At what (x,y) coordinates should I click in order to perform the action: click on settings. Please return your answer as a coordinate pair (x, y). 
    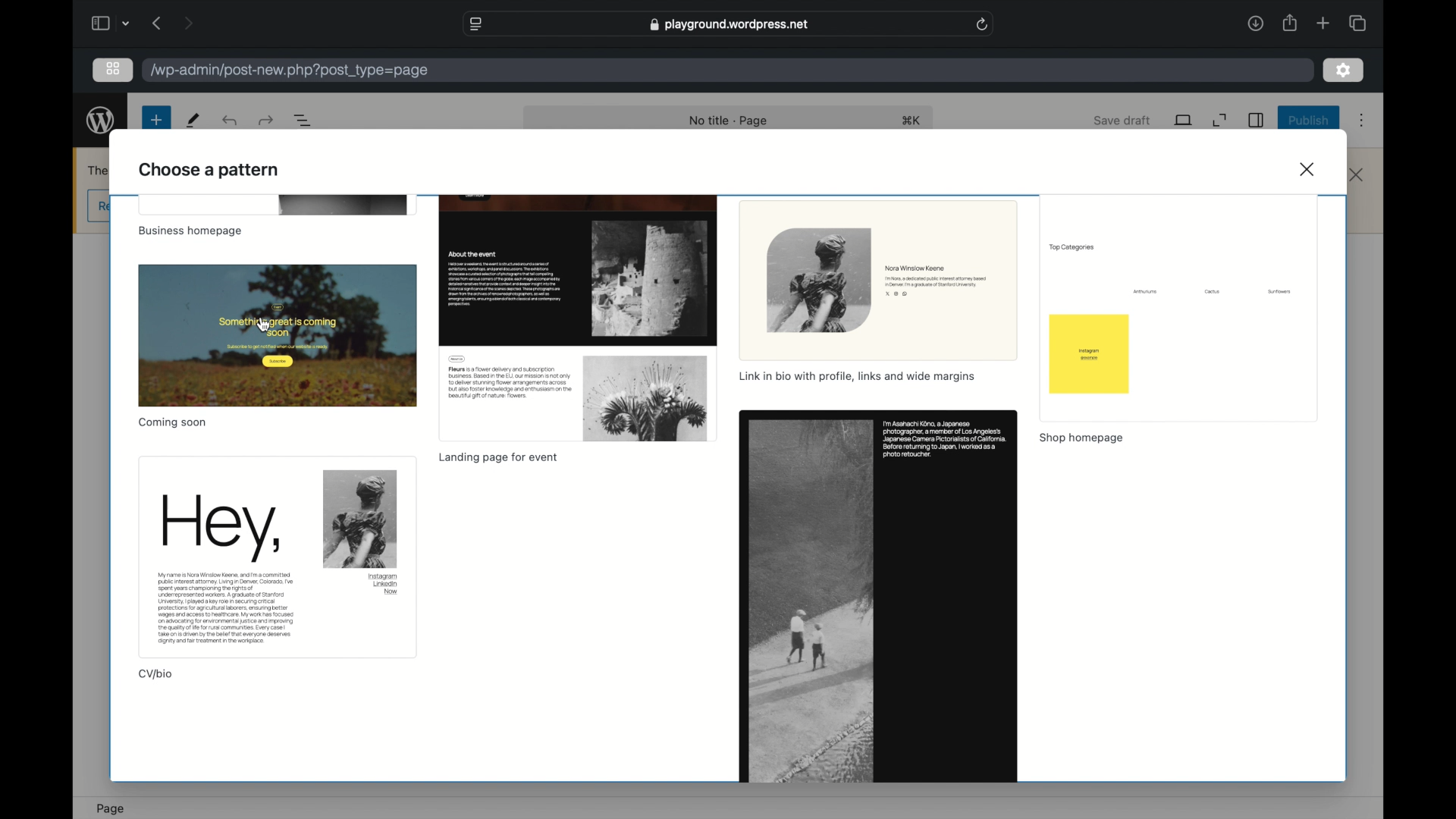
    Looking at the image, I should click on (1343, 70).